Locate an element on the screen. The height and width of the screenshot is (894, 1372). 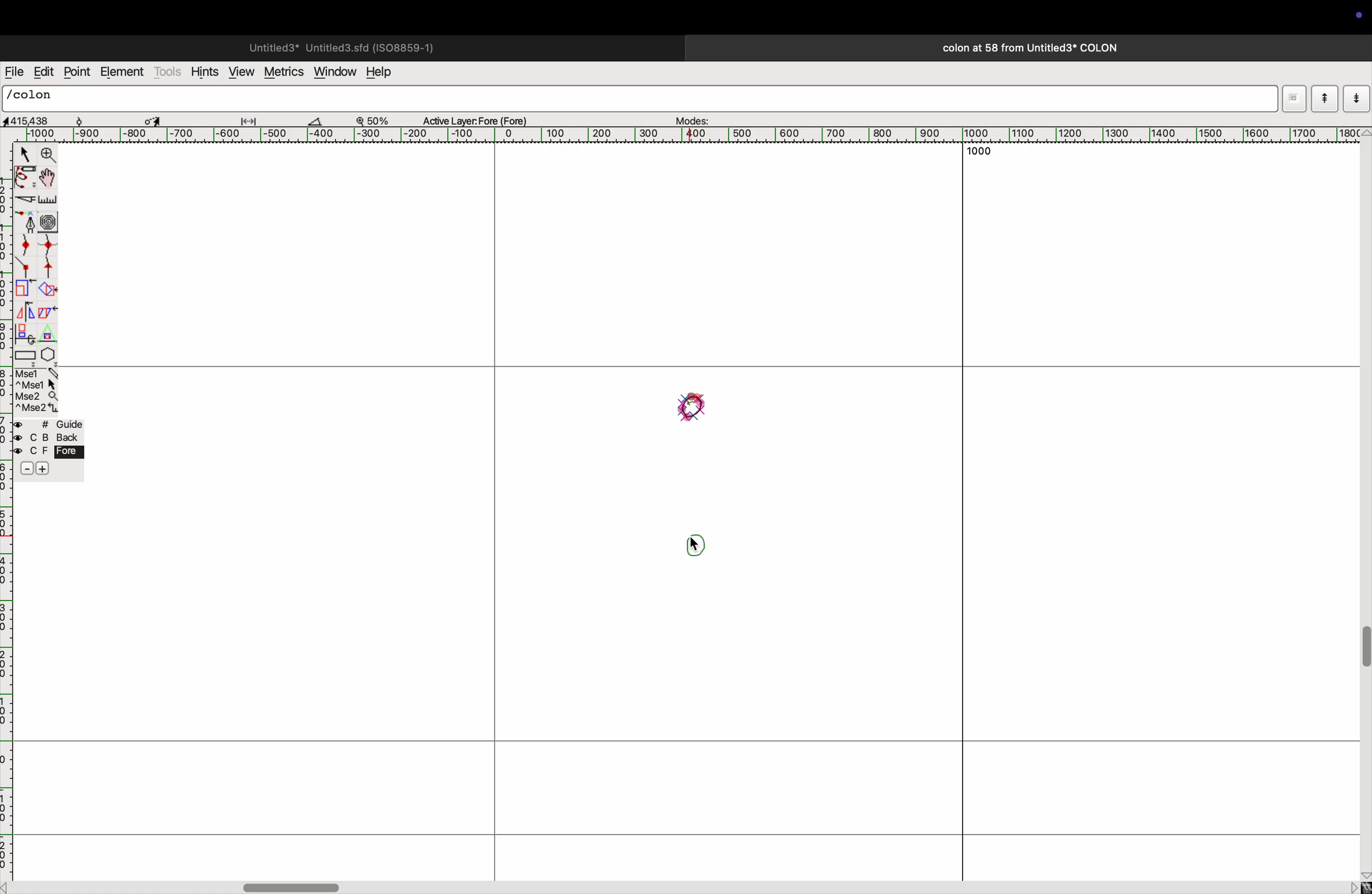
guide is located at coordinates (52, 449).